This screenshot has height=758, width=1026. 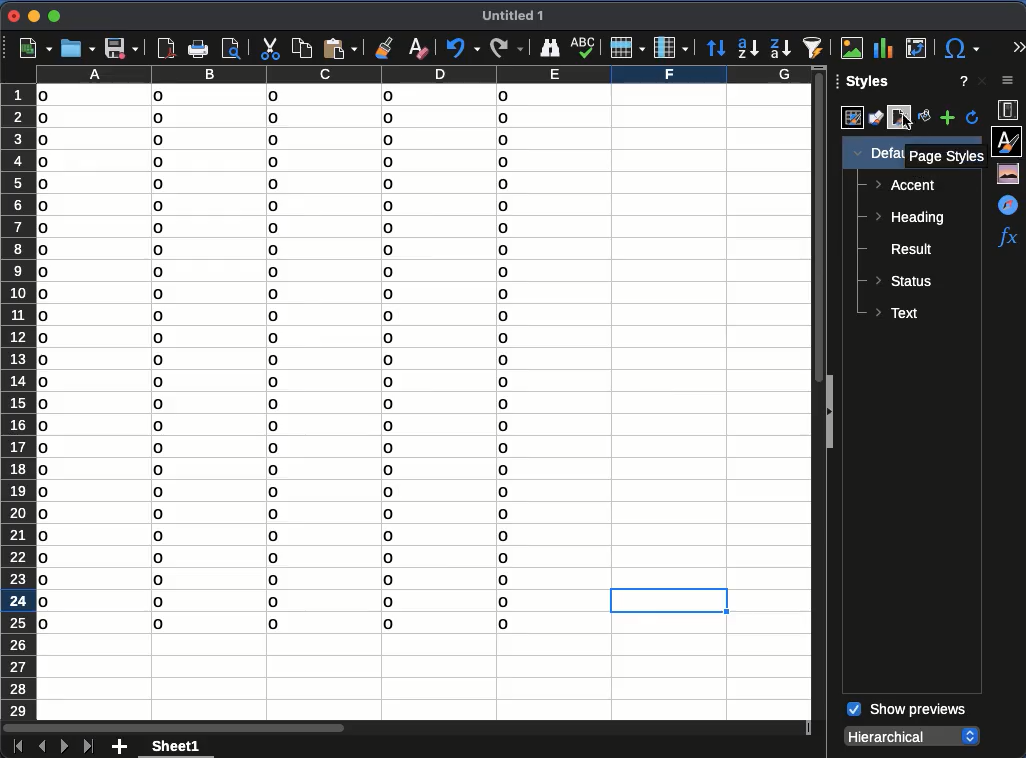 What do you see at coordinates (88, 745) in the screenshot?
I see `last sheet` at bounding box center [88, 745].